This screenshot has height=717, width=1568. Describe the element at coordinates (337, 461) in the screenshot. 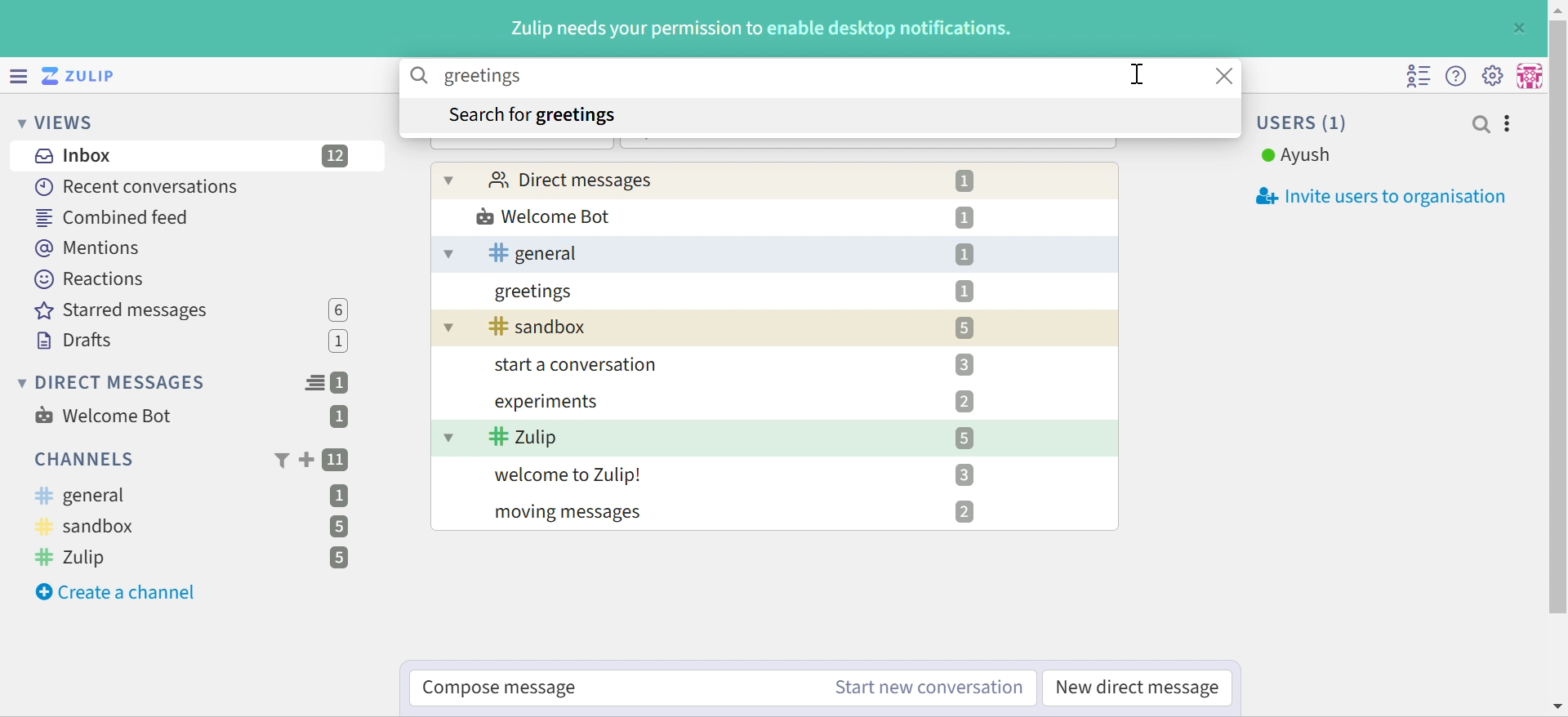

I see `11` at that location.